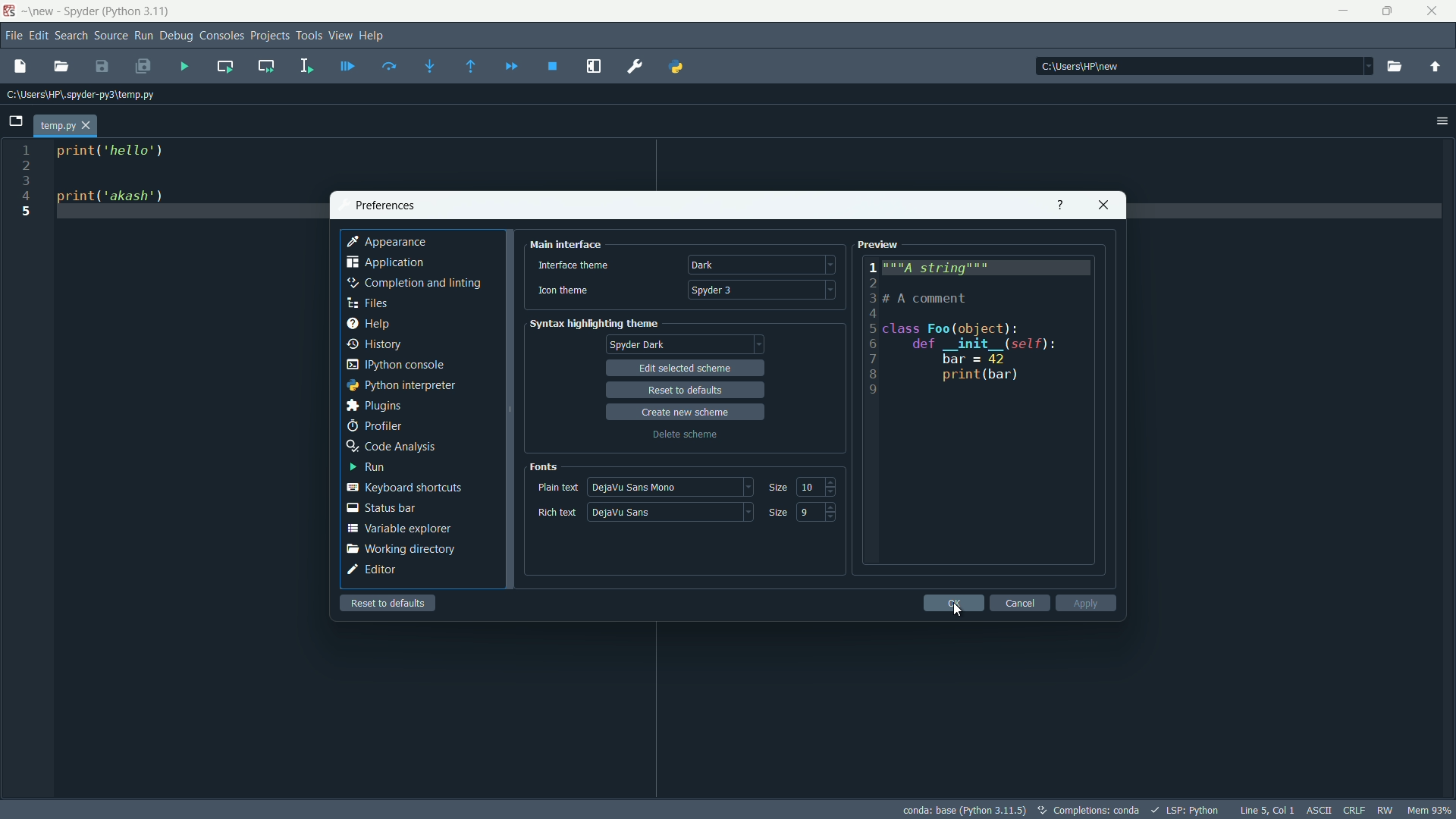 This screenshot has width=1456, height=819. What do you see at coordinates (1321, 810) in the screenshot?
I see `ASCII` at bounding box center [1321, 810].